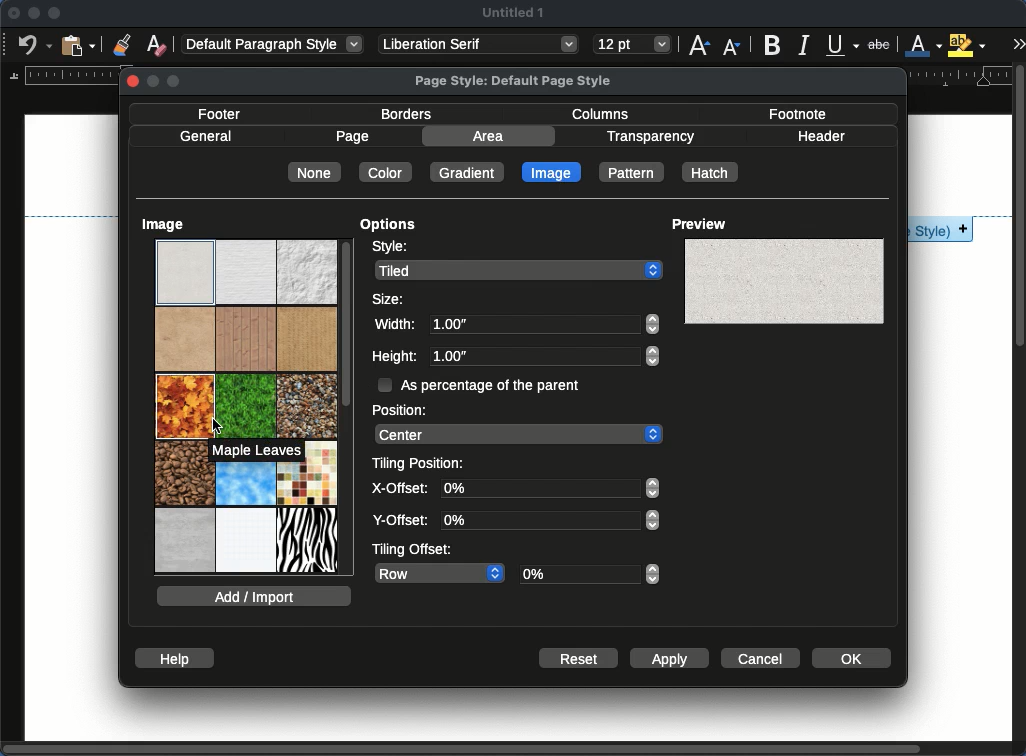 This screenshot has width=1026, height=756. What do you see at coordinates (206, 137) in the screenshot?
I see `general` at bounding box center [206, 137].